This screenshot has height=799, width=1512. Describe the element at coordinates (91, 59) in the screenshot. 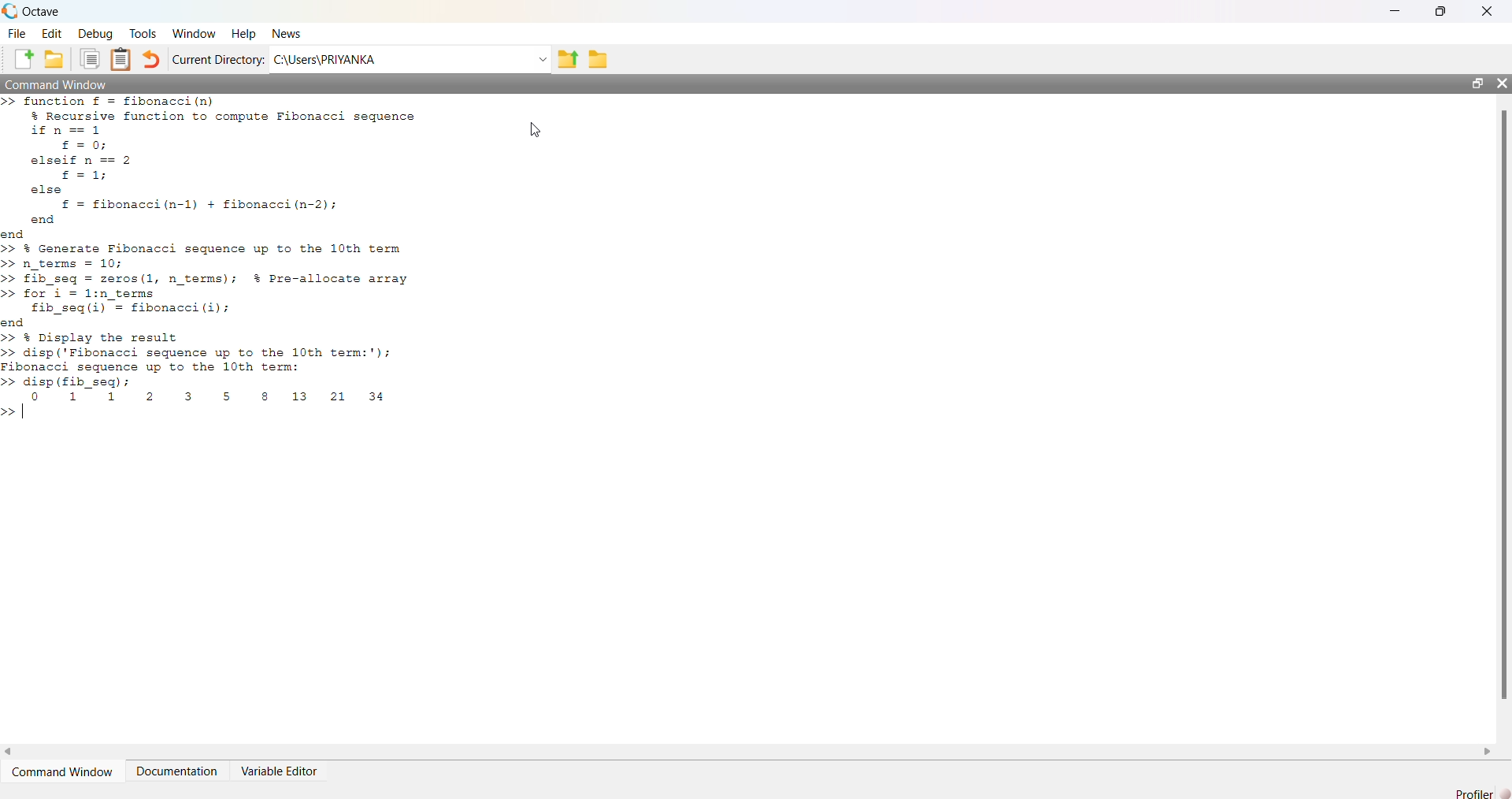

I see `copy` at that location.